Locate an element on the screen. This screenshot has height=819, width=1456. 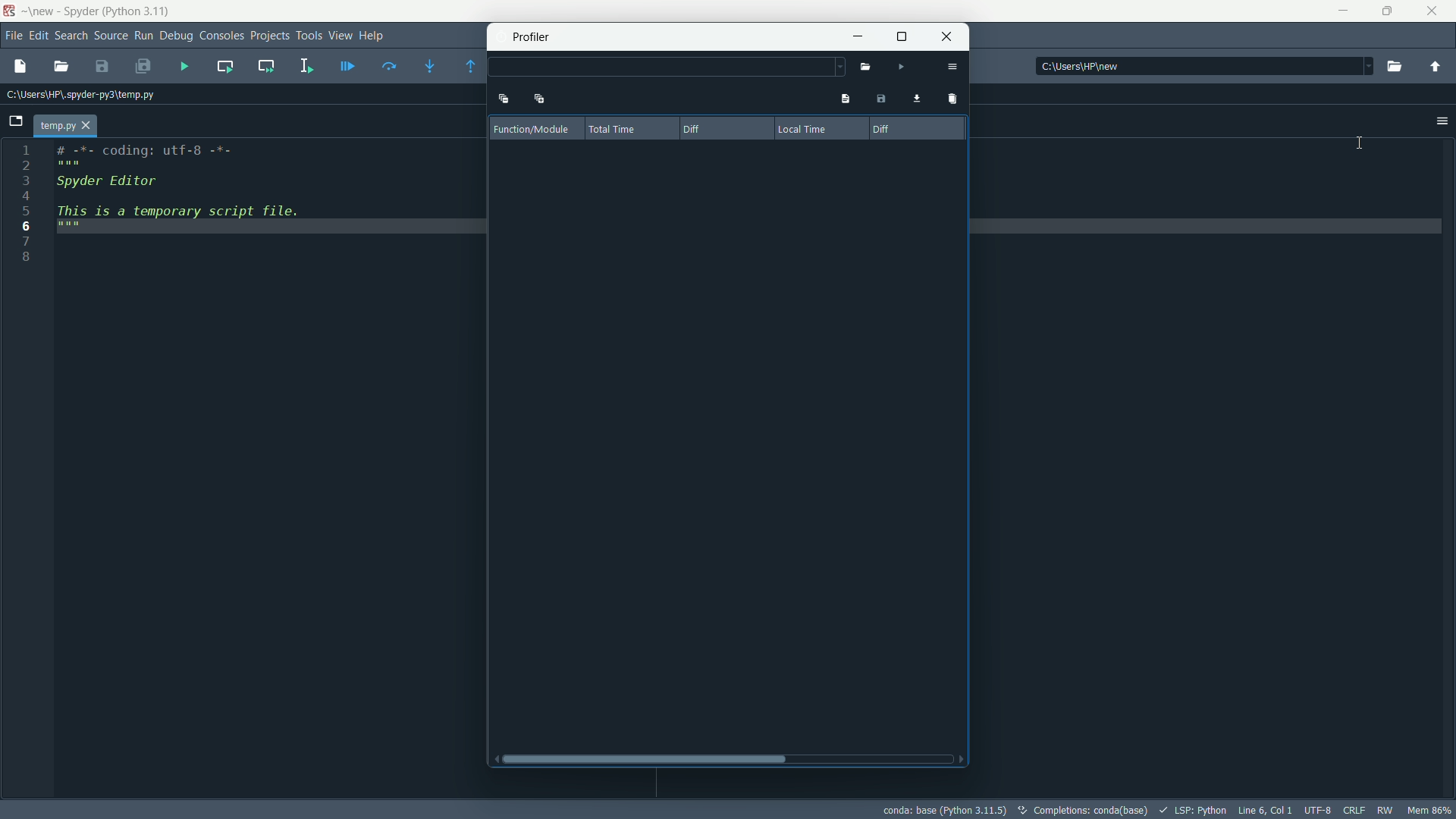
run current cell and go to next one is located at coordinates (266, 67).